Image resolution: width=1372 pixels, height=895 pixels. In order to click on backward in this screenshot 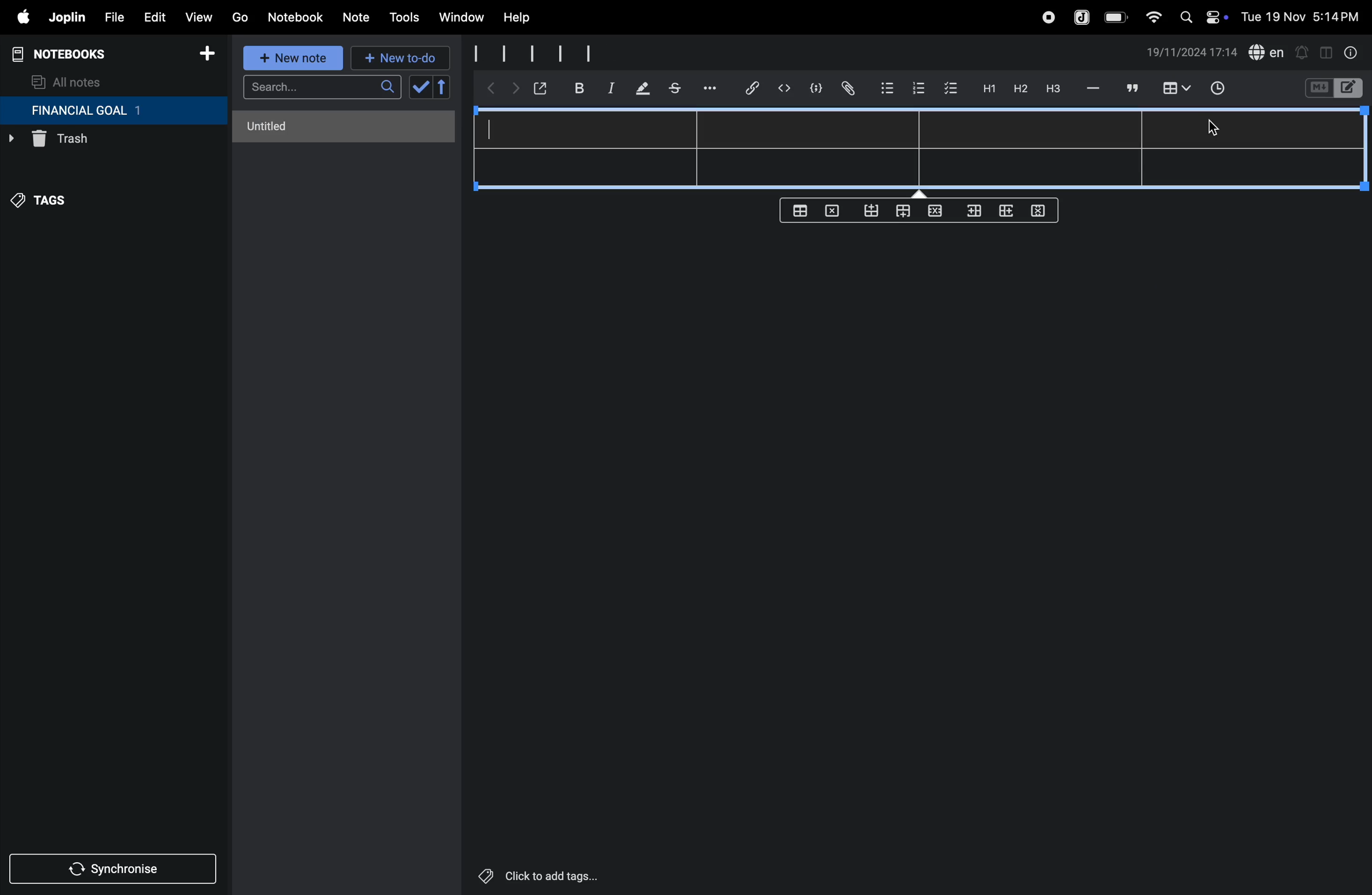, I will do `click(487, 89)`.